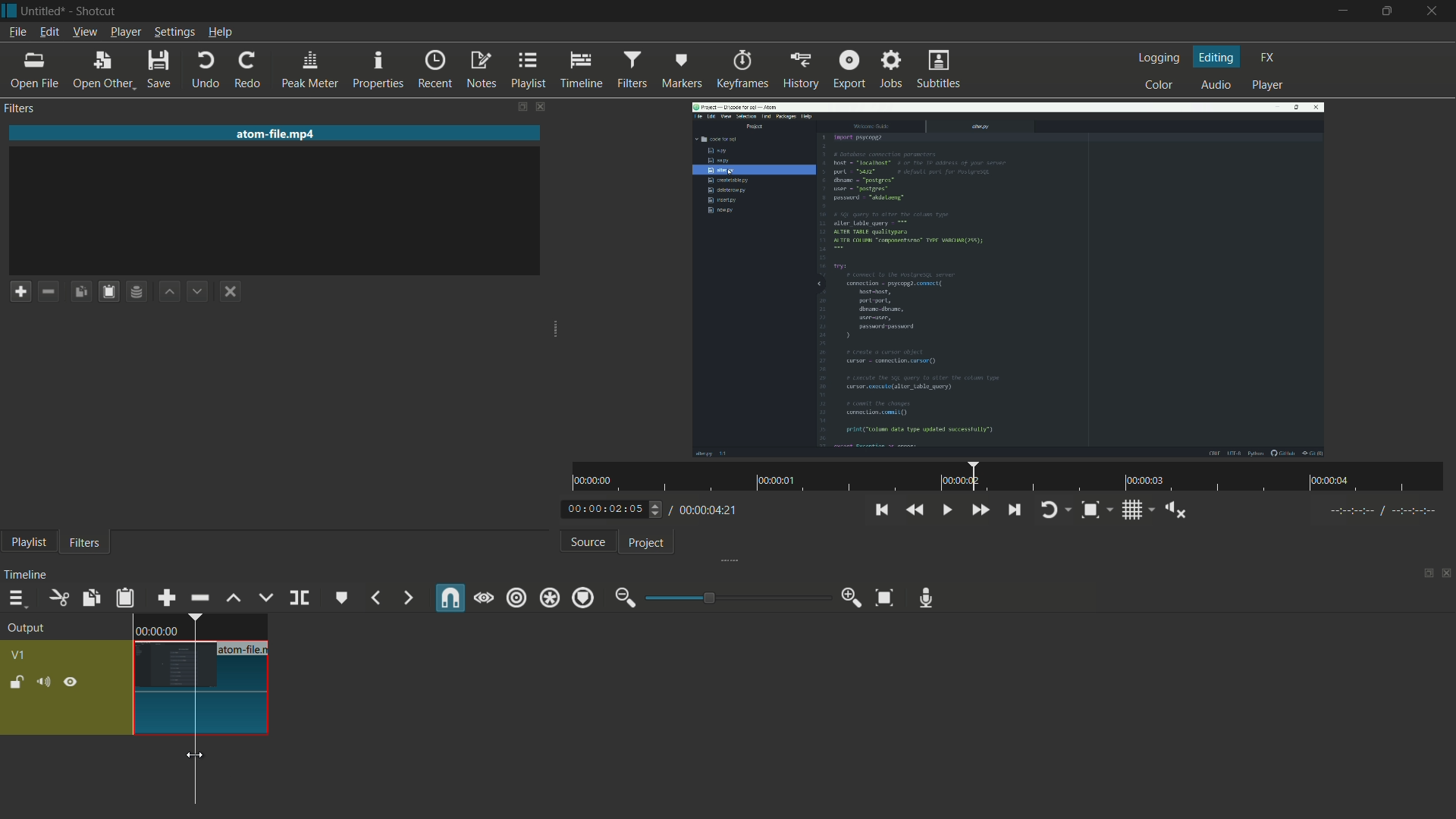 The height and width of the screenshot is (819, 1456). Describe the element at coordinates (925, 598) in the screenshot. I see `record audio` at that location.